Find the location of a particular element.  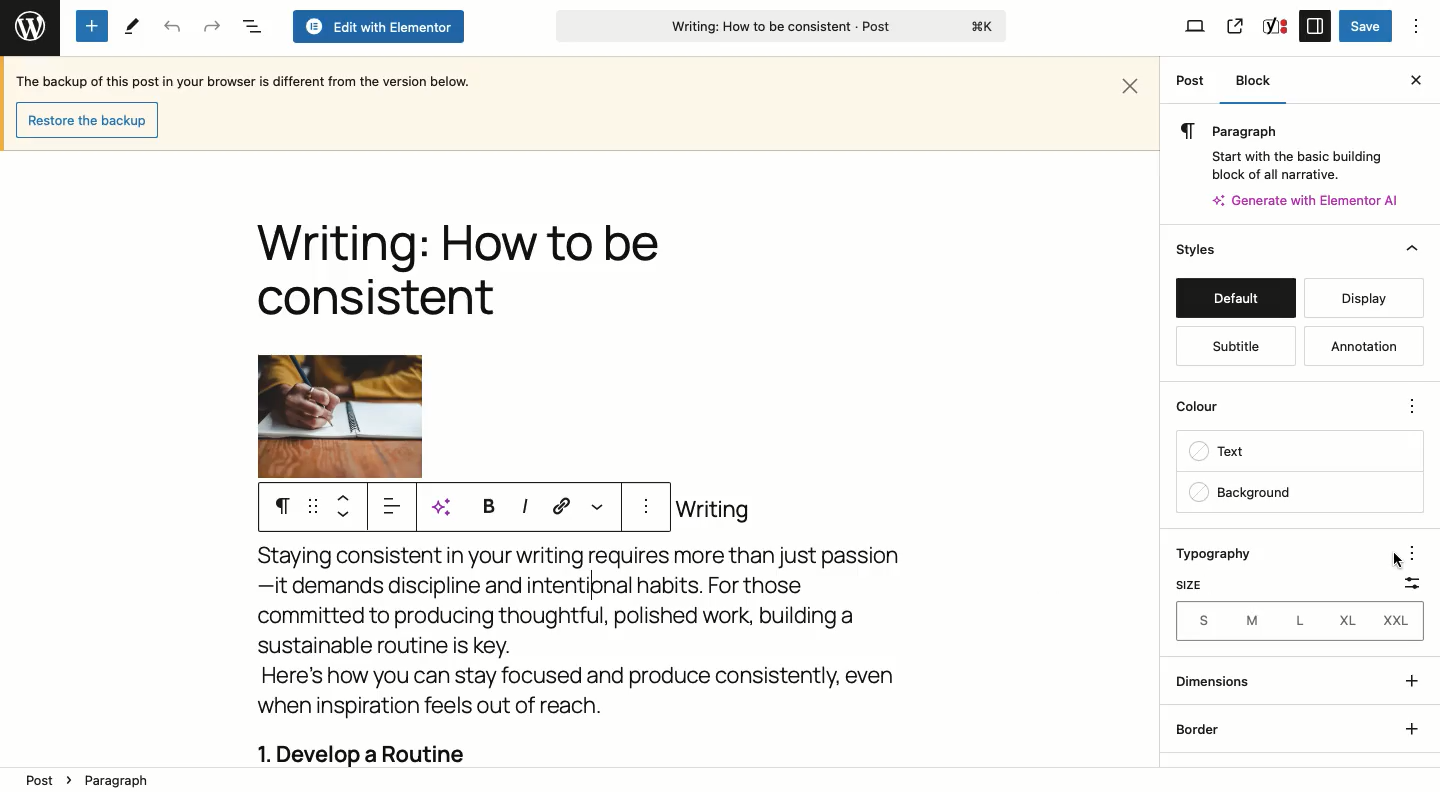

Generate with Elementor AI is located at coordinates (1307, 200).